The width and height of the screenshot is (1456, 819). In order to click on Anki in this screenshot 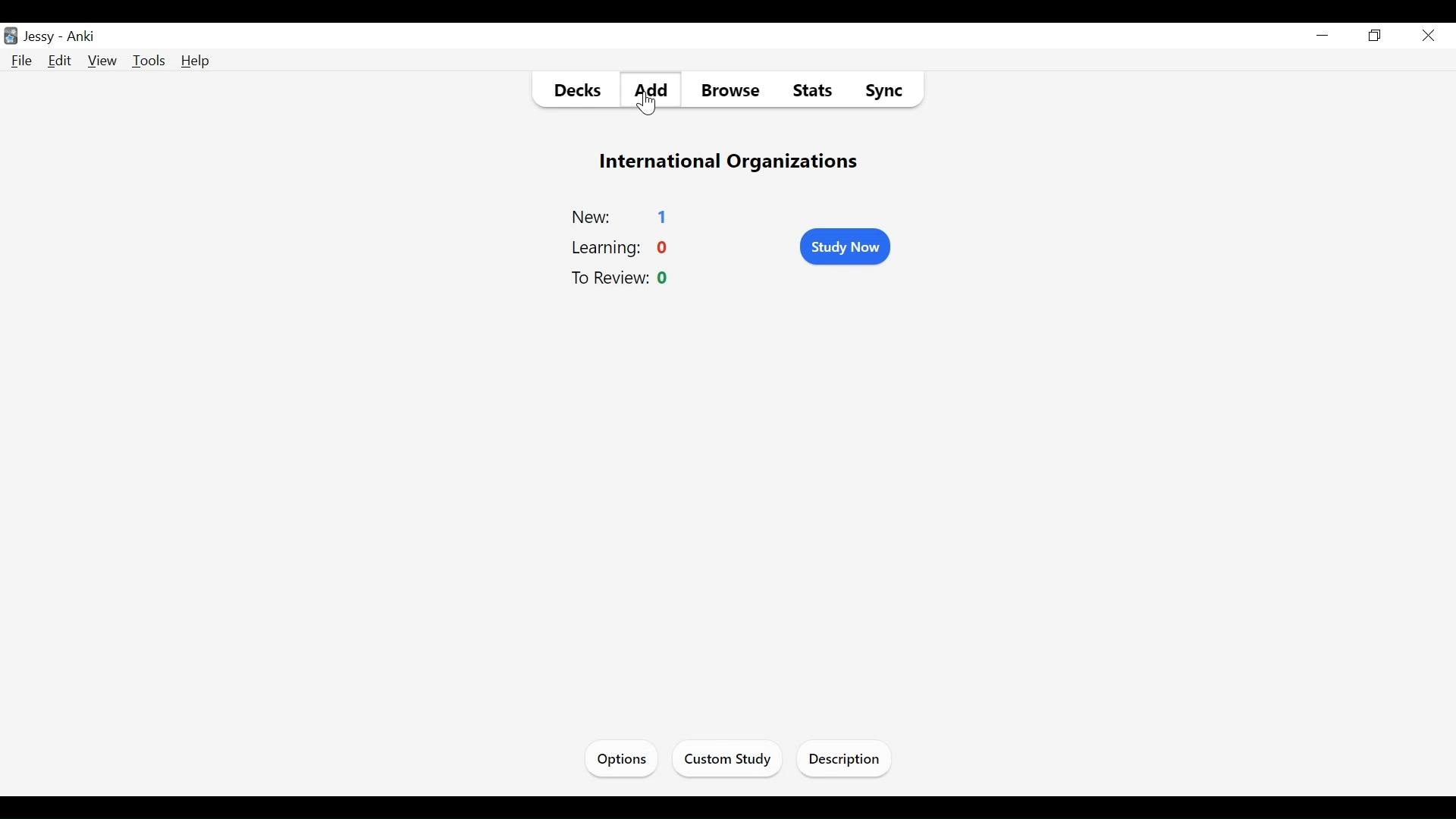, I will do `click(83, 36)`.